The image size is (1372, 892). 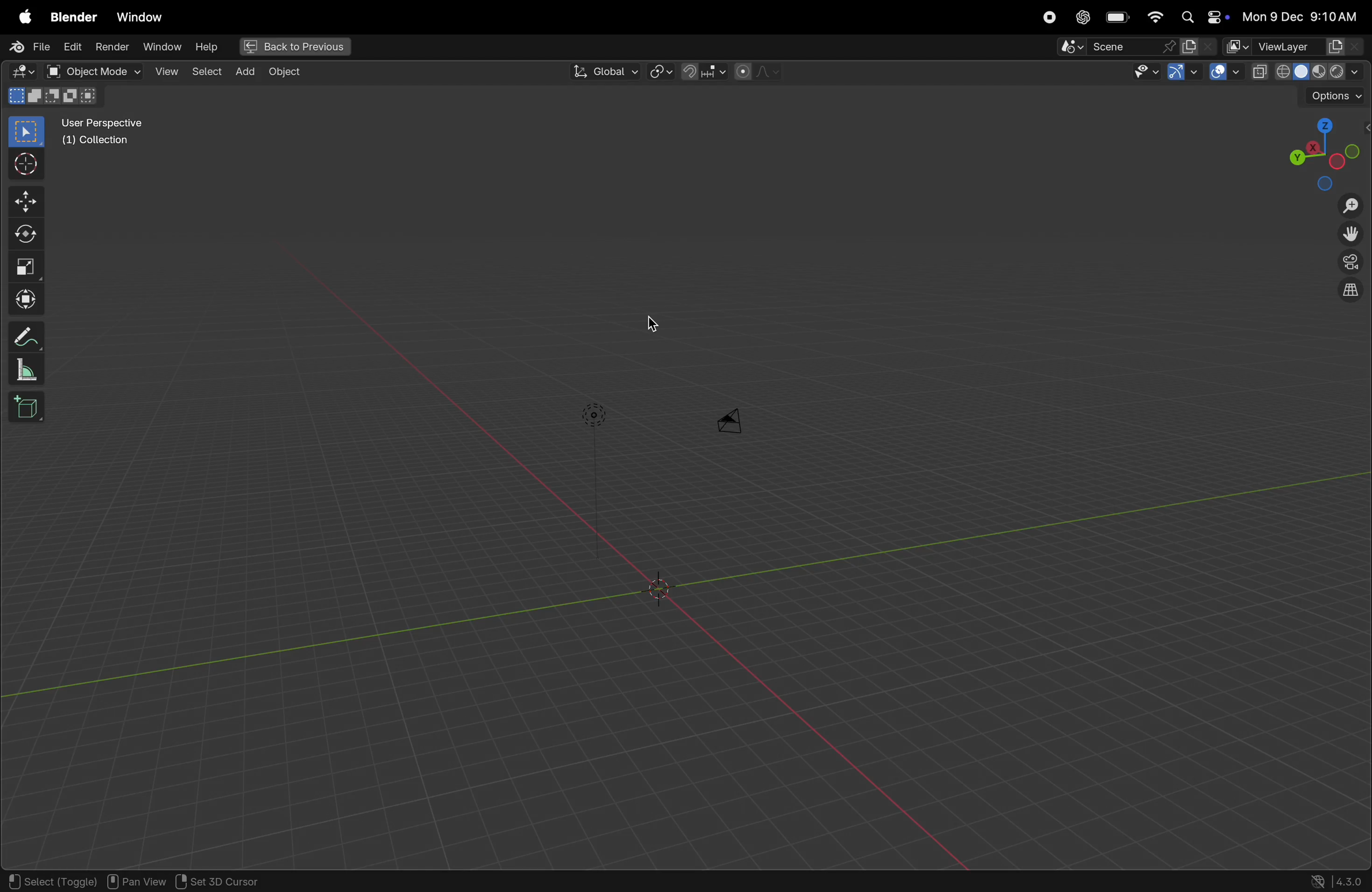 What do you see at coordinates (1118, 18) in the screenshot?
I see `battery` at bounding box center [1118, 18].